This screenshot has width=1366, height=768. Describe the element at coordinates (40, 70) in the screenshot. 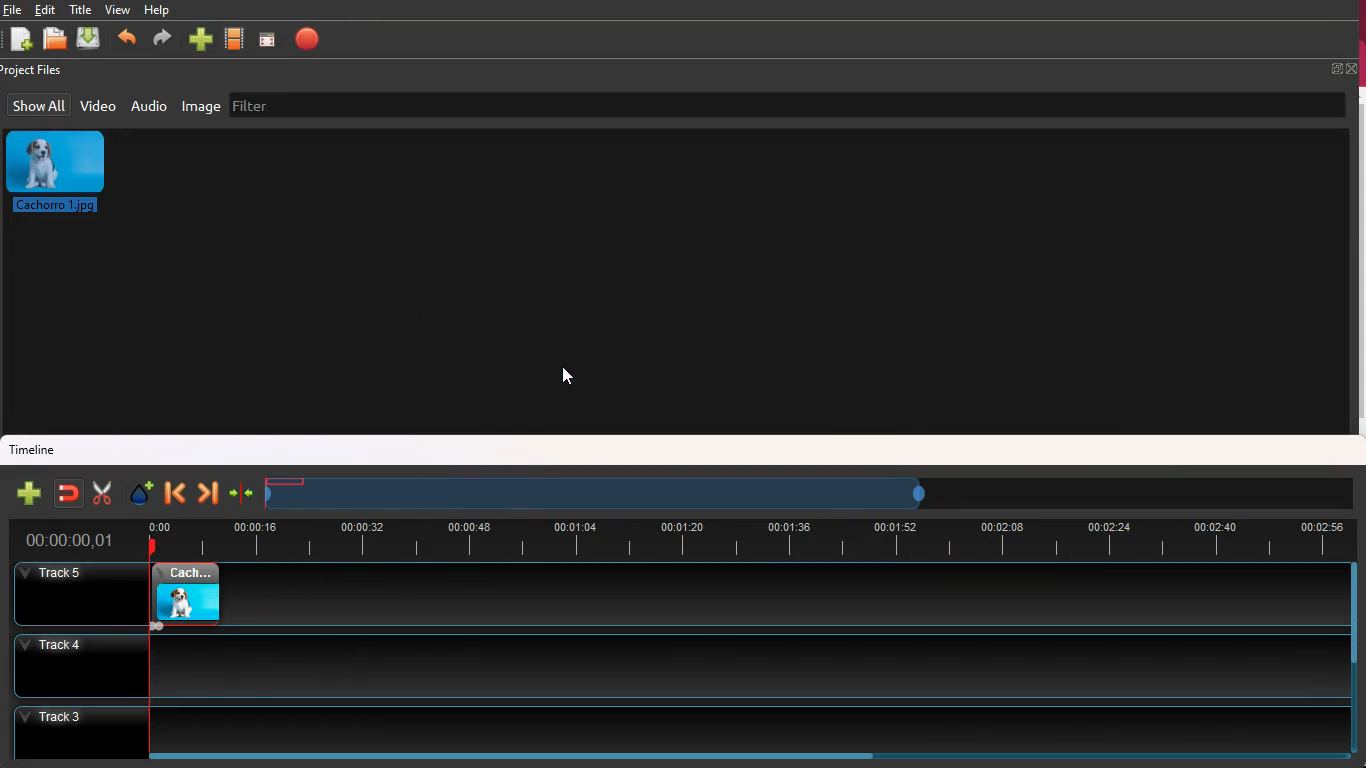

I see `project files` at that location.